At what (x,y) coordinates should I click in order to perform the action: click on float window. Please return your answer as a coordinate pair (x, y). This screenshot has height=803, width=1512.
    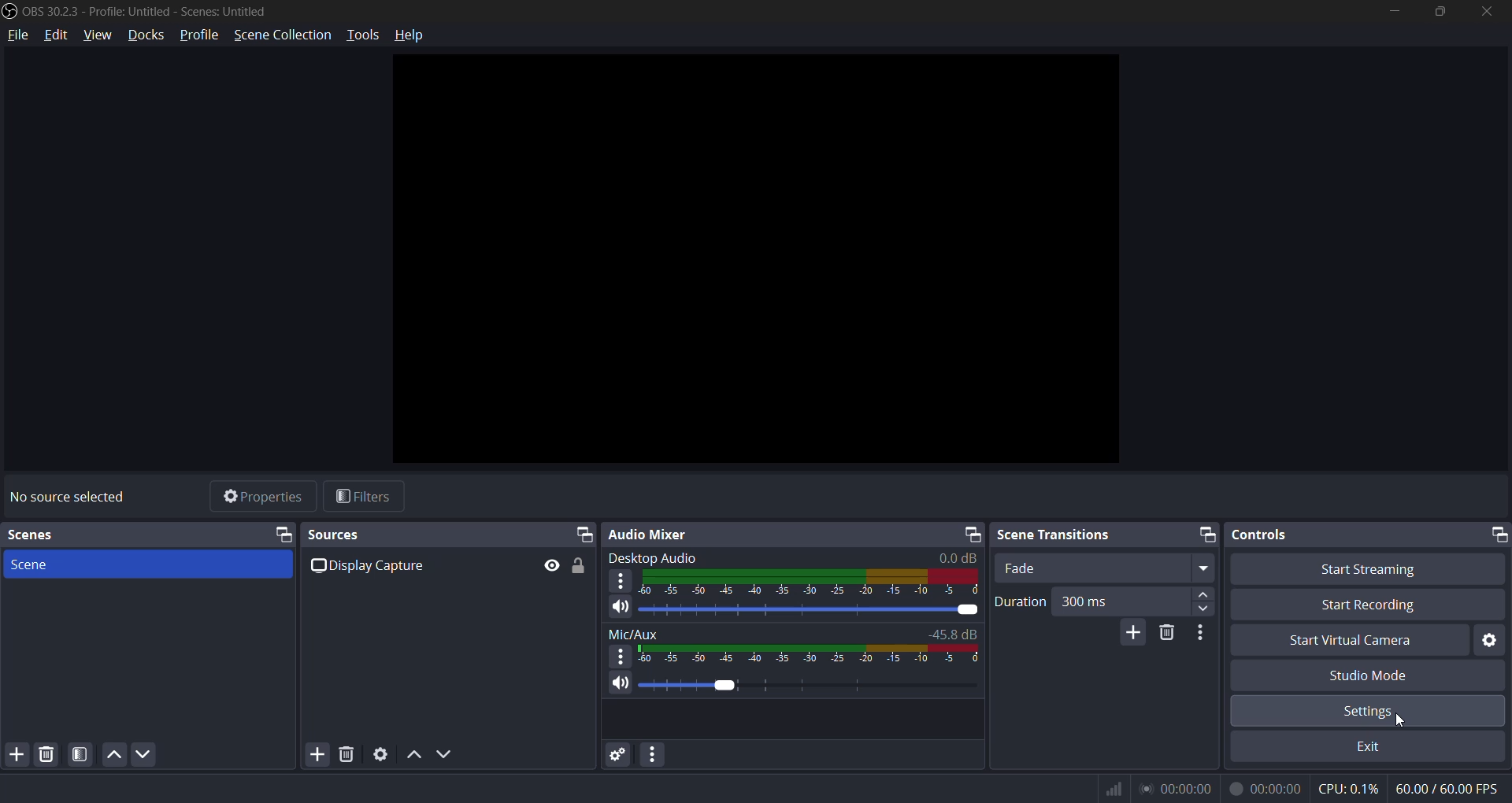
    Looking at the image, I should click on (1206, 534).